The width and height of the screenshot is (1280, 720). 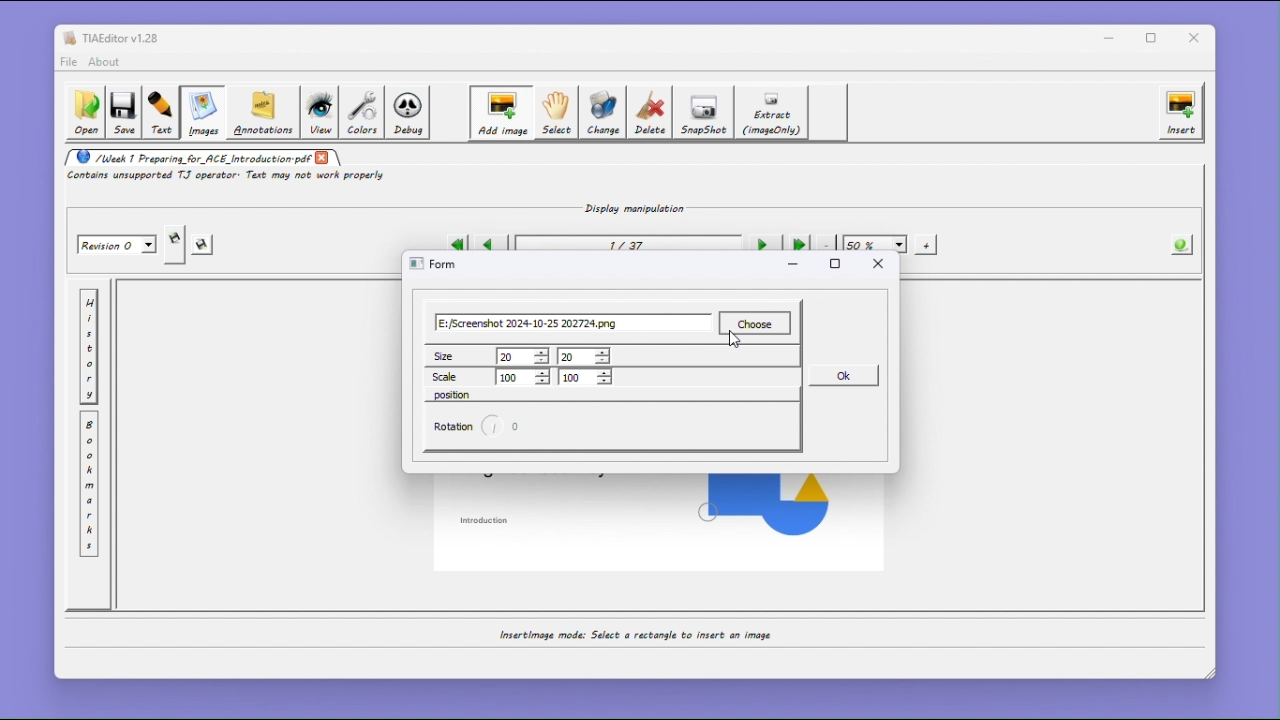 I want to click on Images, so click(x=201, y=113).